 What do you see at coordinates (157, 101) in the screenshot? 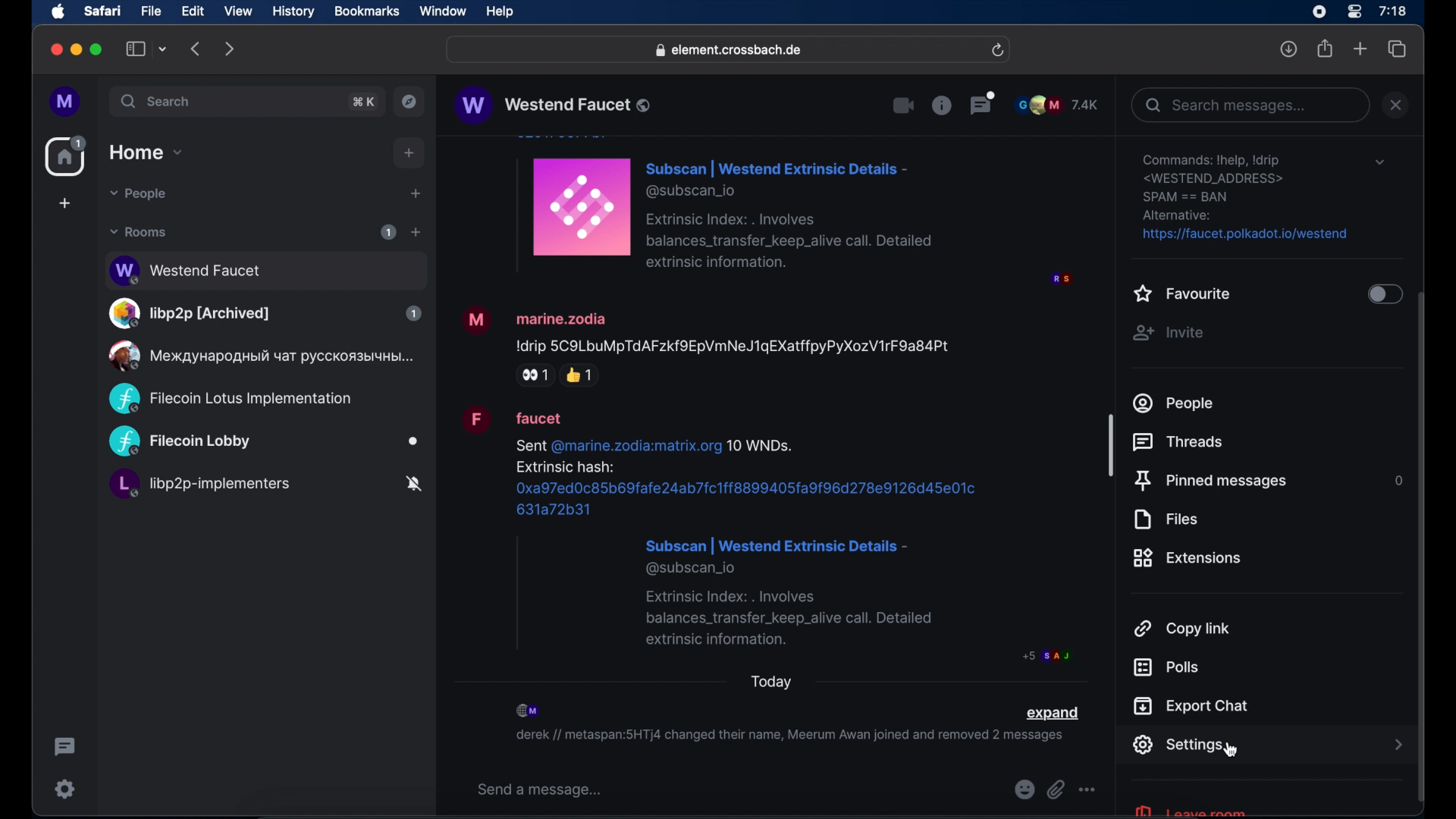
I see `search` at bounding box center [157, 101].